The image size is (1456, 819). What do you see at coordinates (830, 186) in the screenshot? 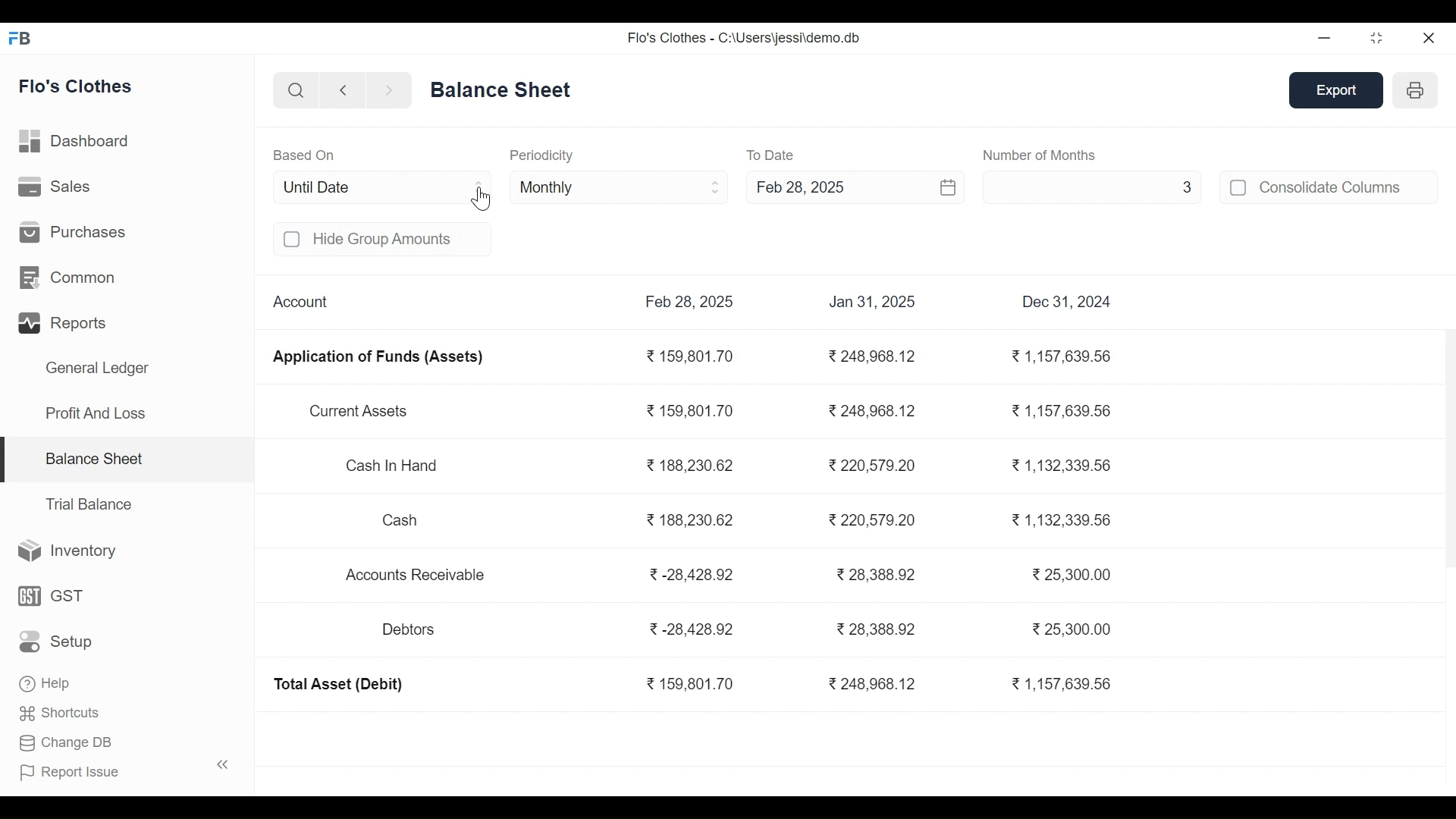
I see `Feb 28, 2025` at bounding box center [830, 186].